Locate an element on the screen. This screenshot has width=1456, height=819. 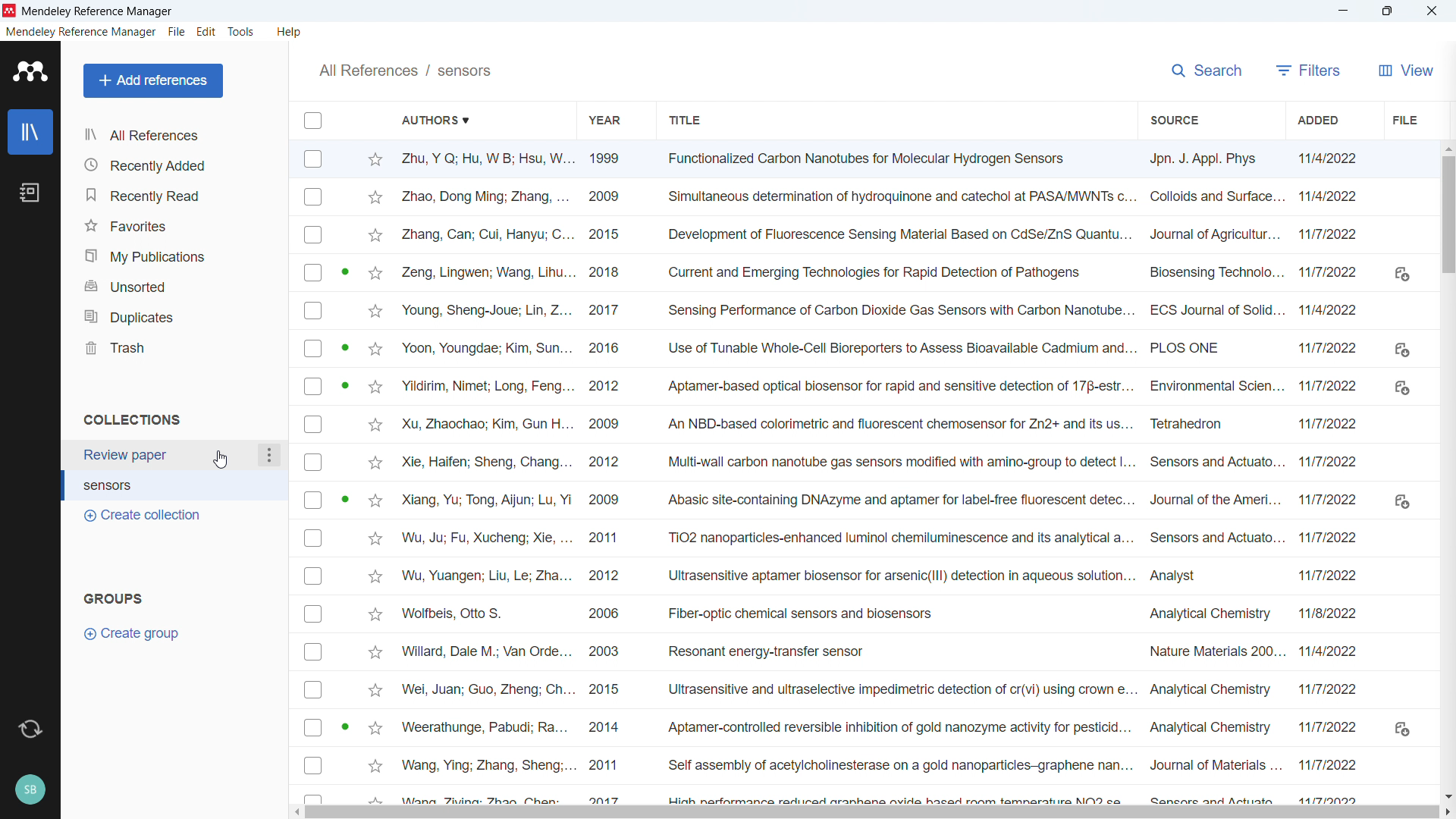
Collection 2  is located at coordinates (177, 485).